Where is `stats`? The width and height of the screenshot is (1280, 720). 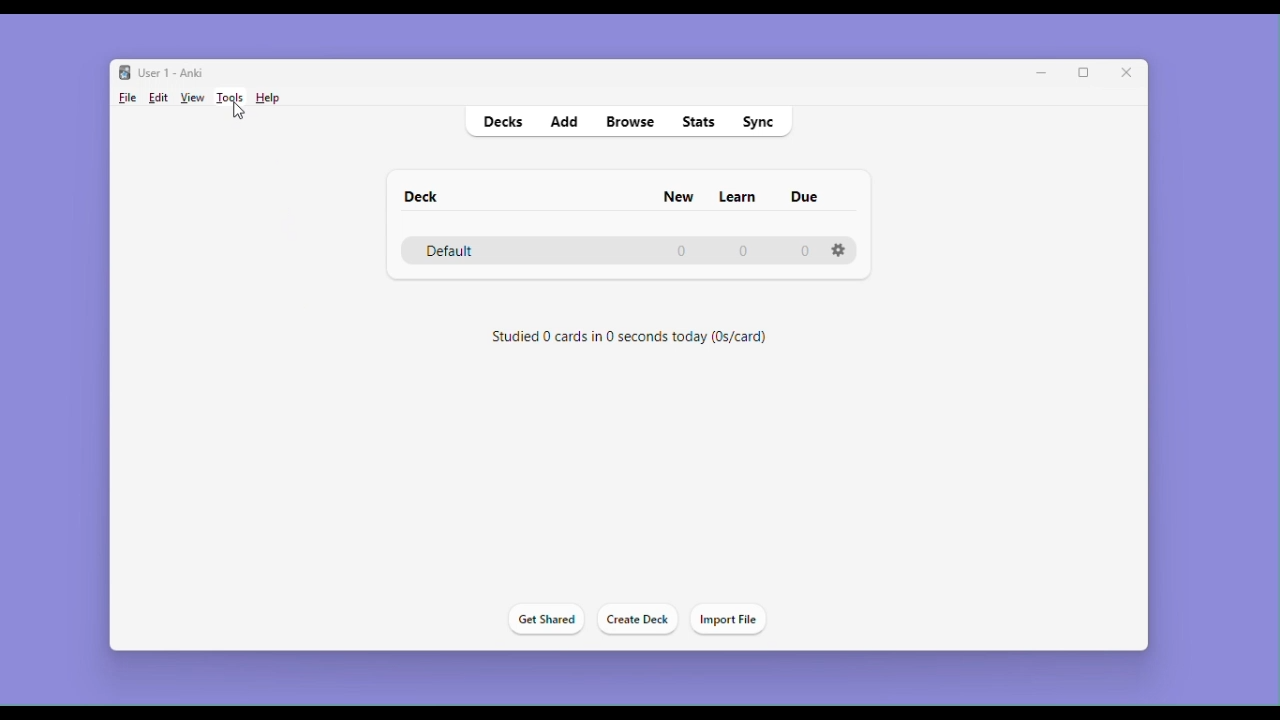
stats is located at coordinates (699, 121).